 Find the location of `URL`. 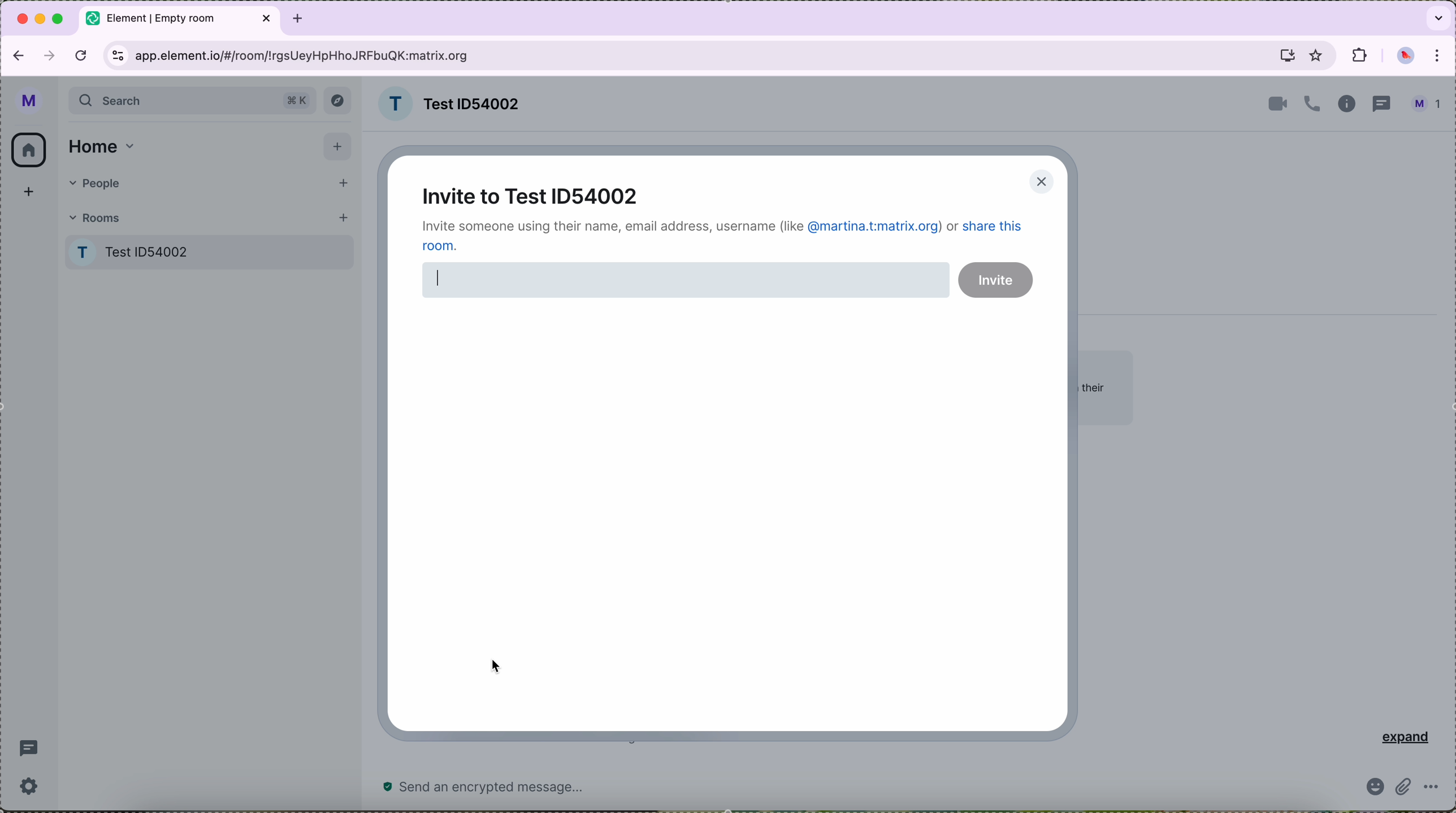

URL is located at coordinates (304, 55).